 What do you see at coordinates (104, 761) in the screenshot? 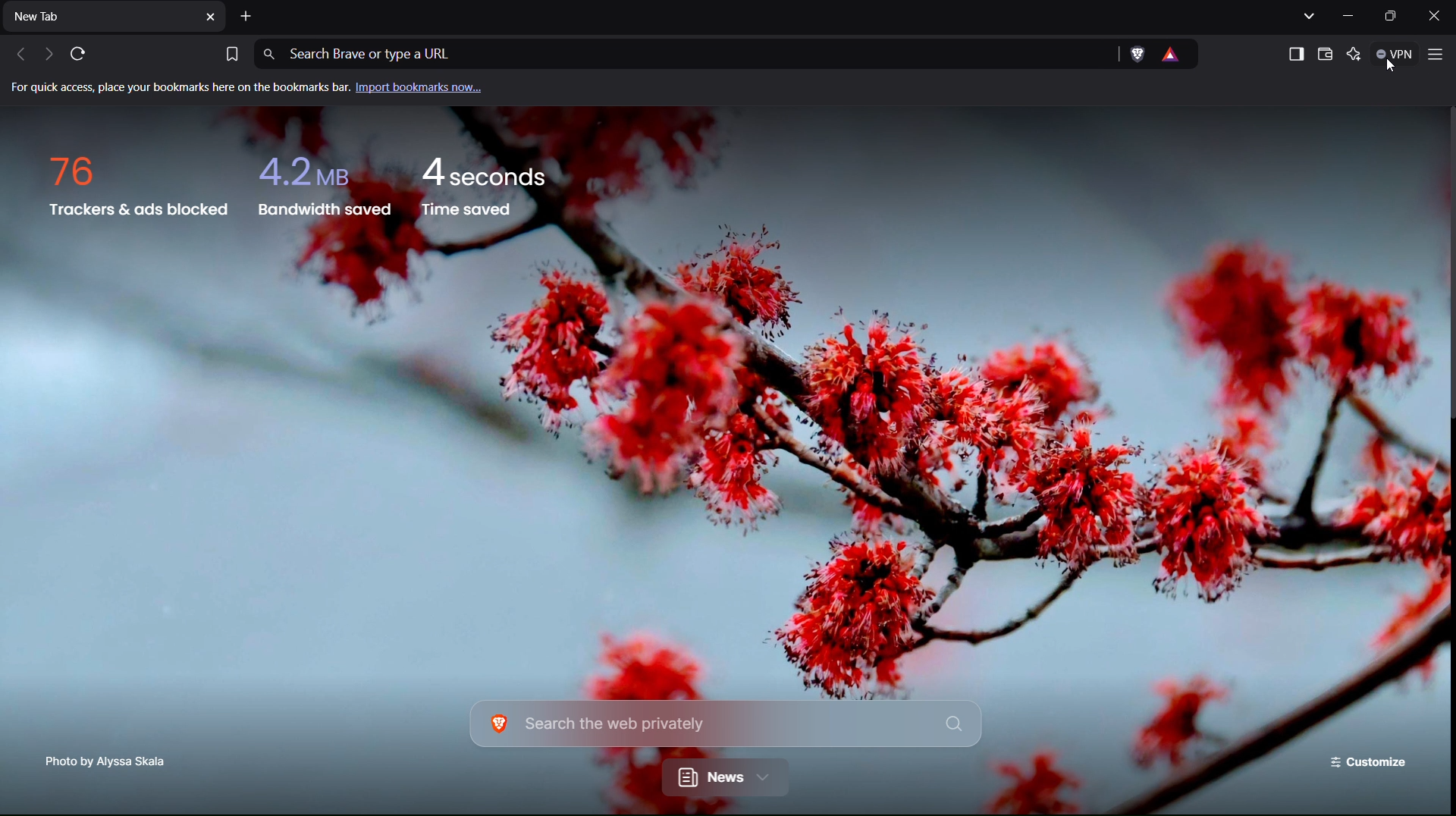
I see `Photo Credit` at bounding box center [104, 761].